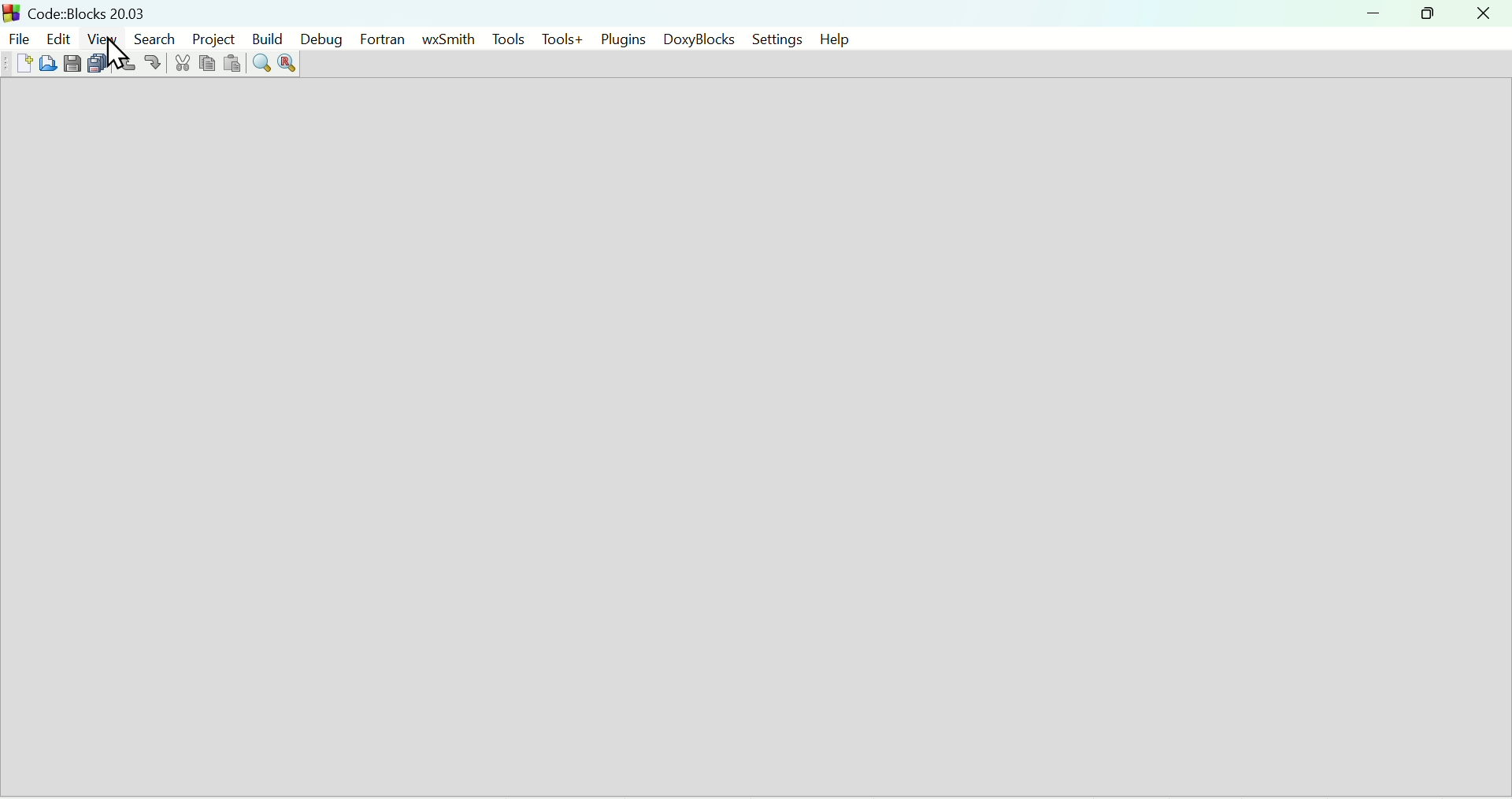  I want to click on minimize, so click(1373, 13).